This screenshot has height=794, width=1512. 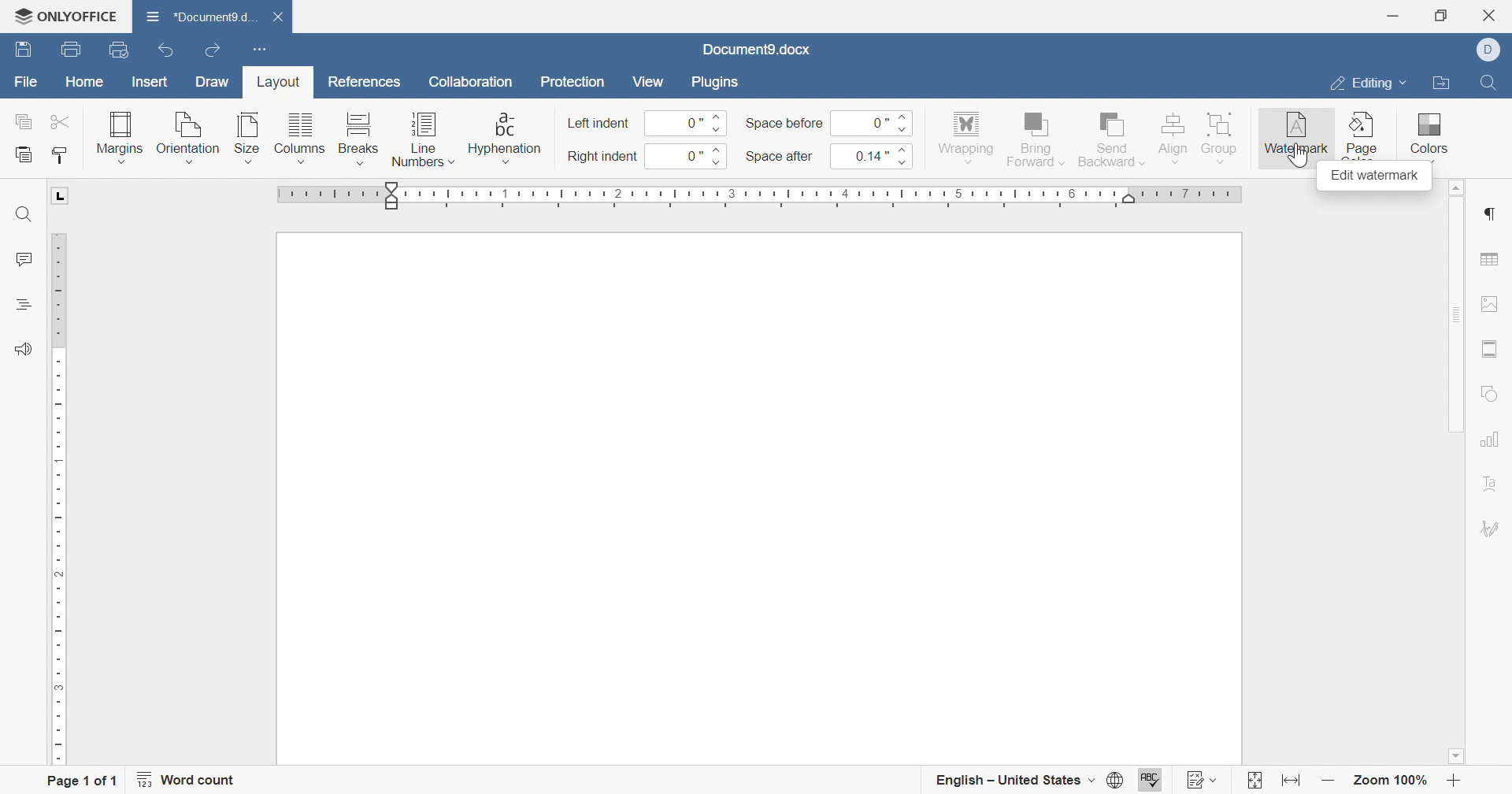 What do you see at coordinates (1487, 80) in the screenshot?
I see `find` at bounding box center [1487, 80].